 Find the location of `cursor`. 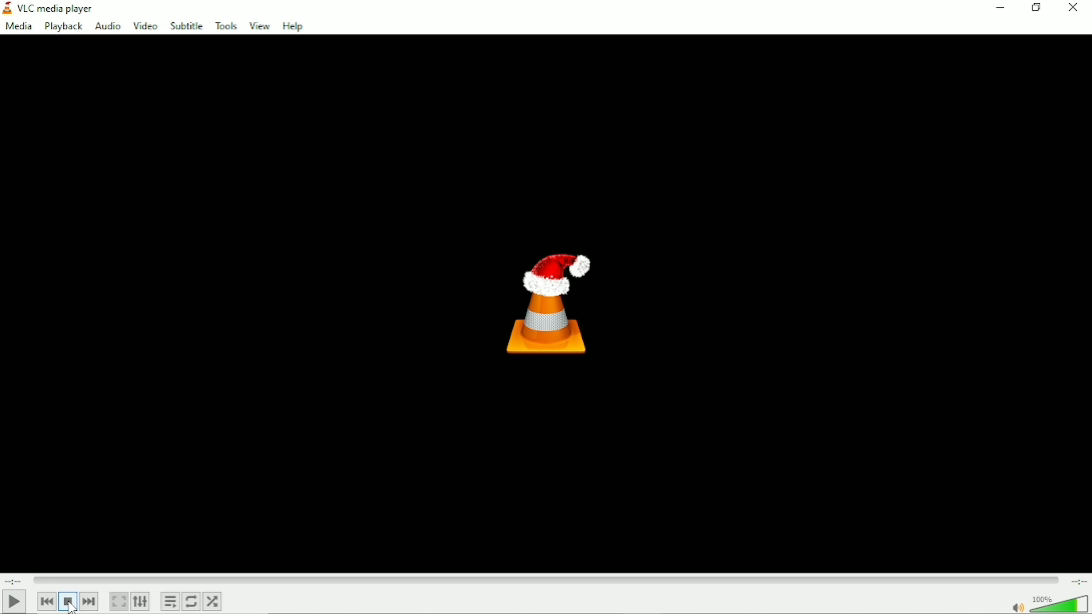

cursor is located at coordinates (72, 605).